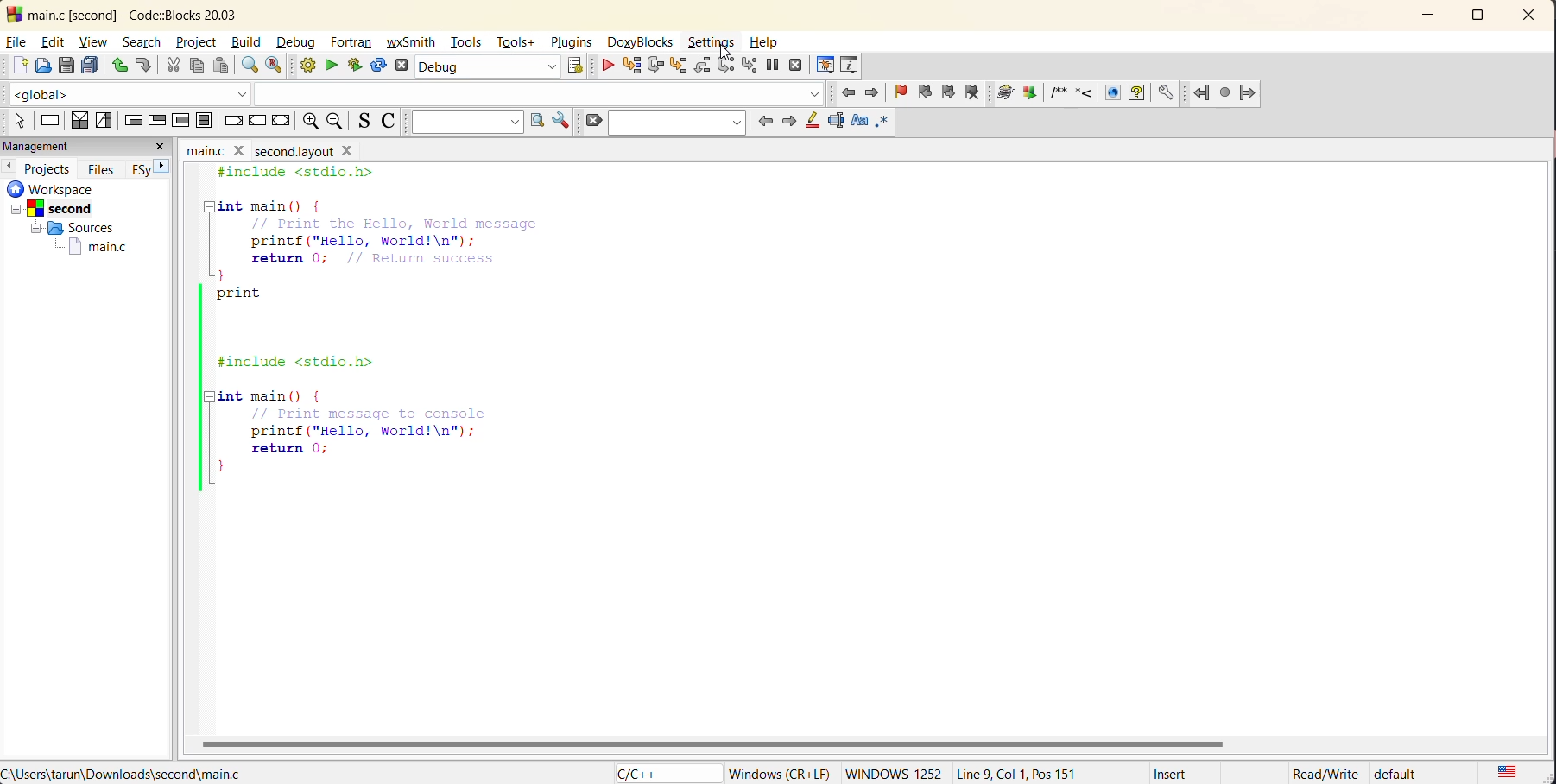 The image size is (1556, 784). Describe the element at coordinates (104, 122) in the screenshot. I see `selection` at that location.